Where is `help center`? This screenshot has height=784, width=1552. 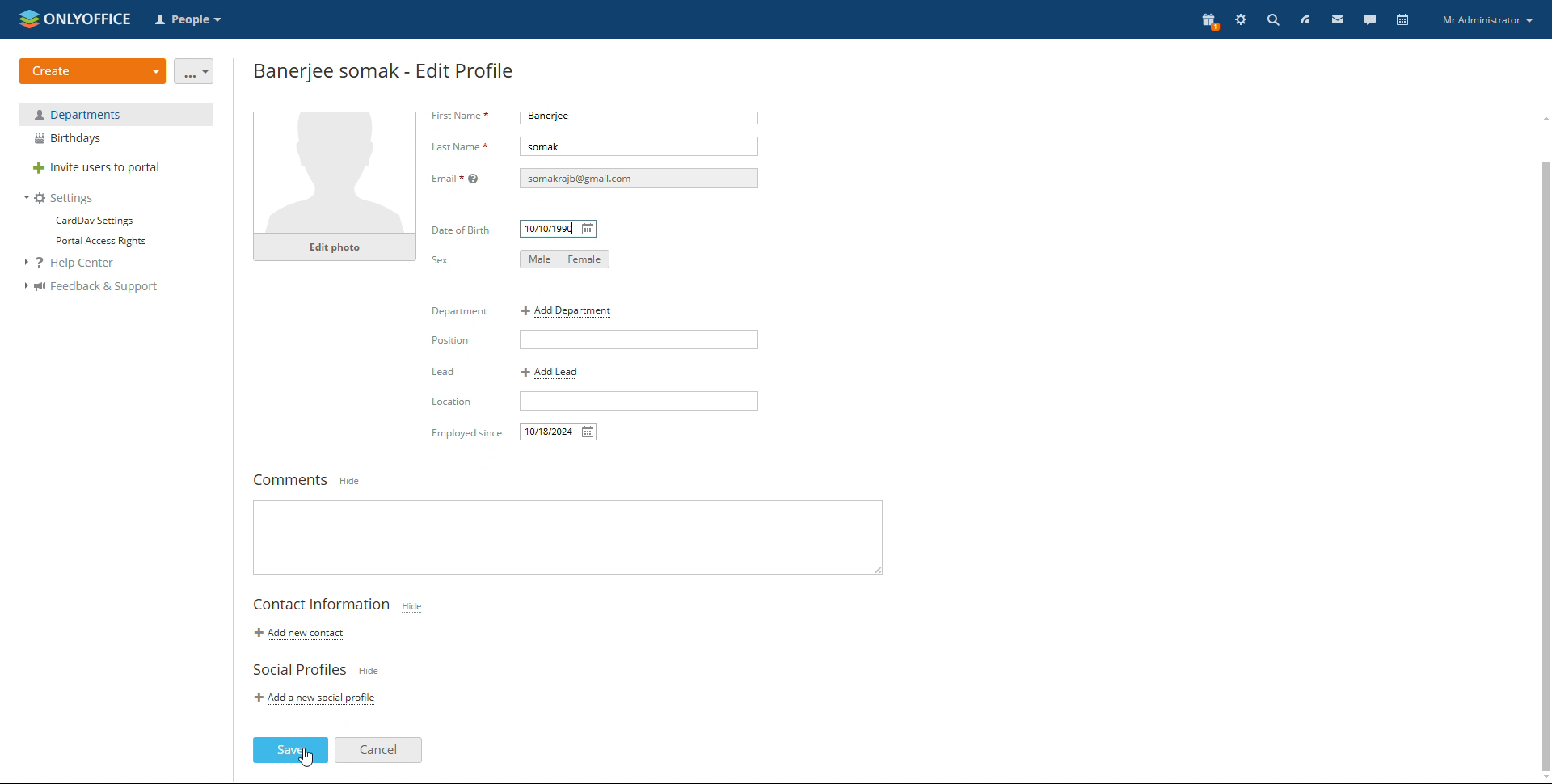 help center is located at coordinates (78, 263).